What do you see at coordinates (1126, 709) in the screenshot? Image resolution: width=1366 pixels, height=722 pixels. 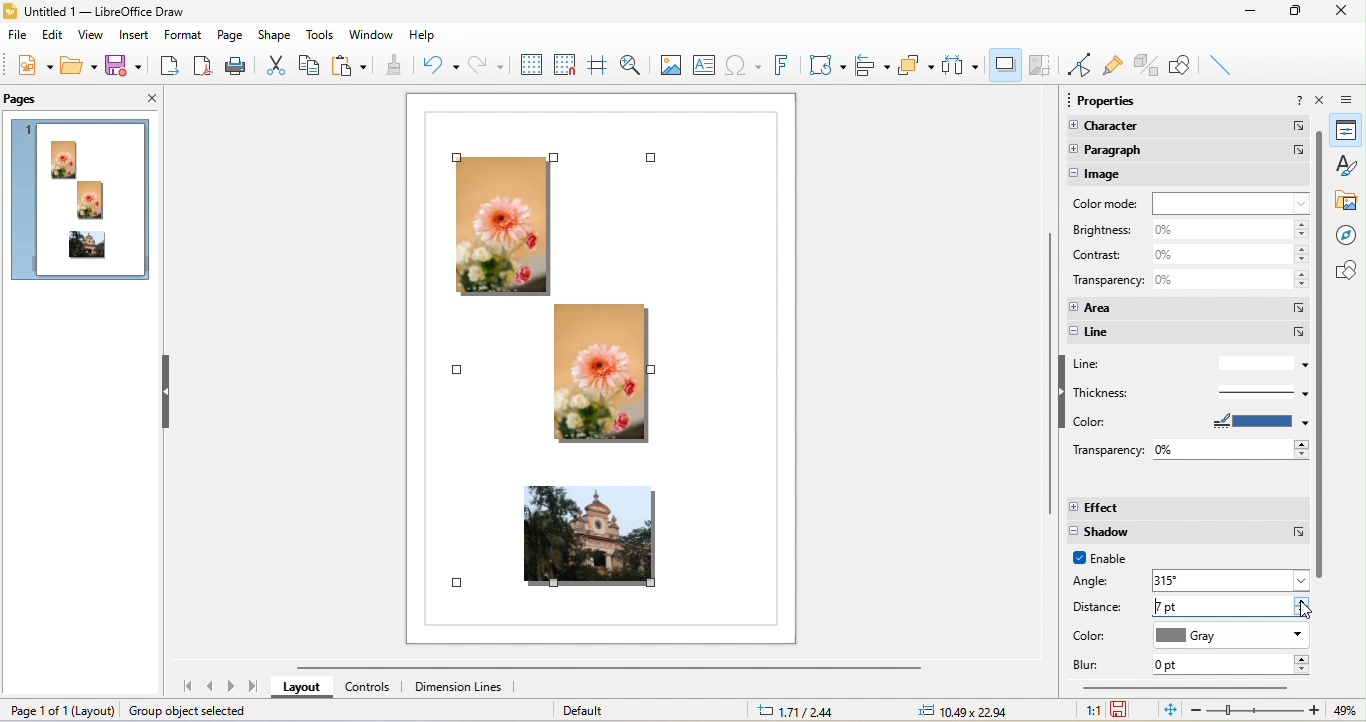 I see `the document has not been modified since the last save` at bounding box center [1126, 709].